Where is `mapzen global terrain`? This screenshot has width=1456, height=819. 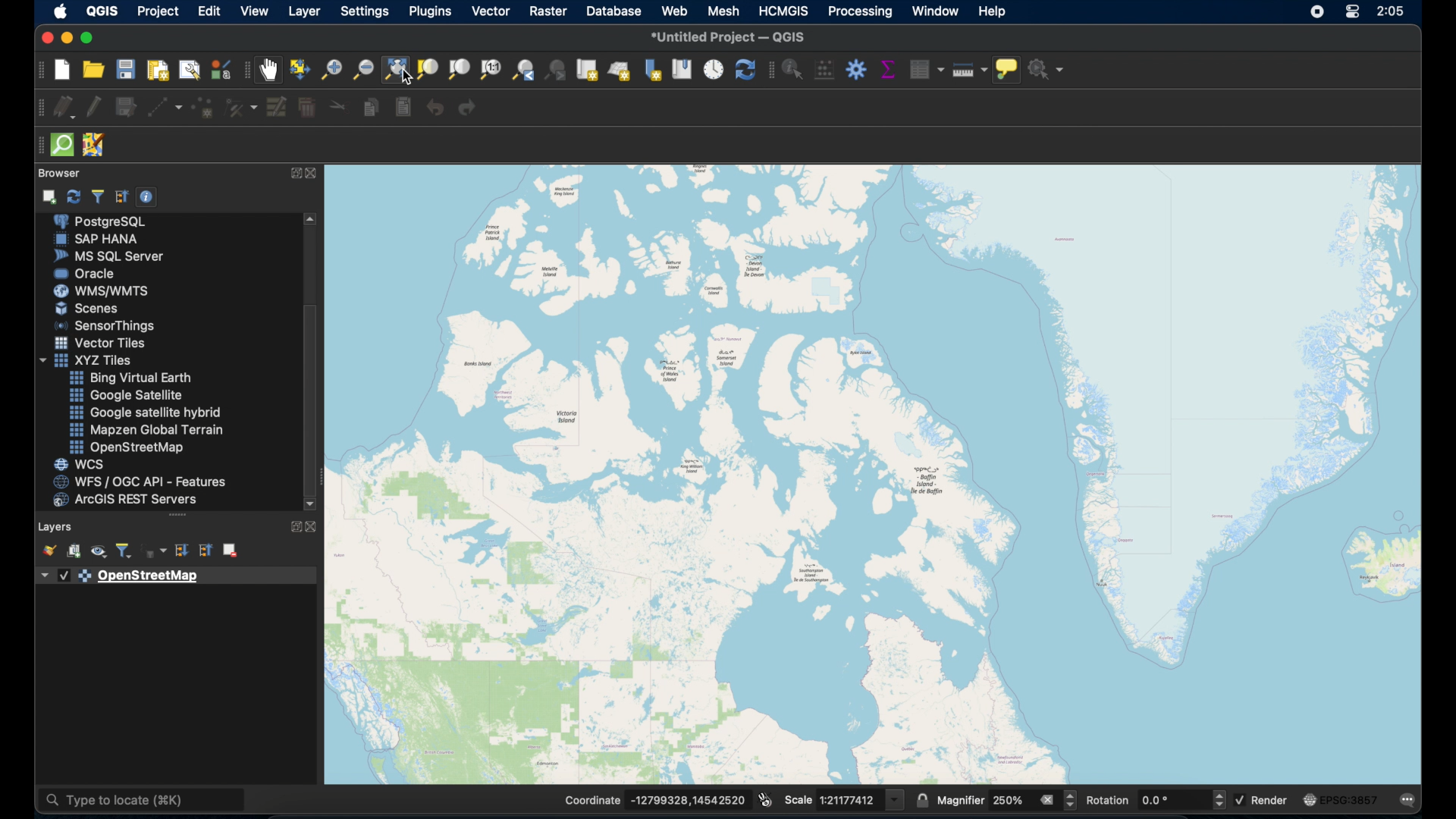 mapzen global terrain is located at coordinates (149, 429).